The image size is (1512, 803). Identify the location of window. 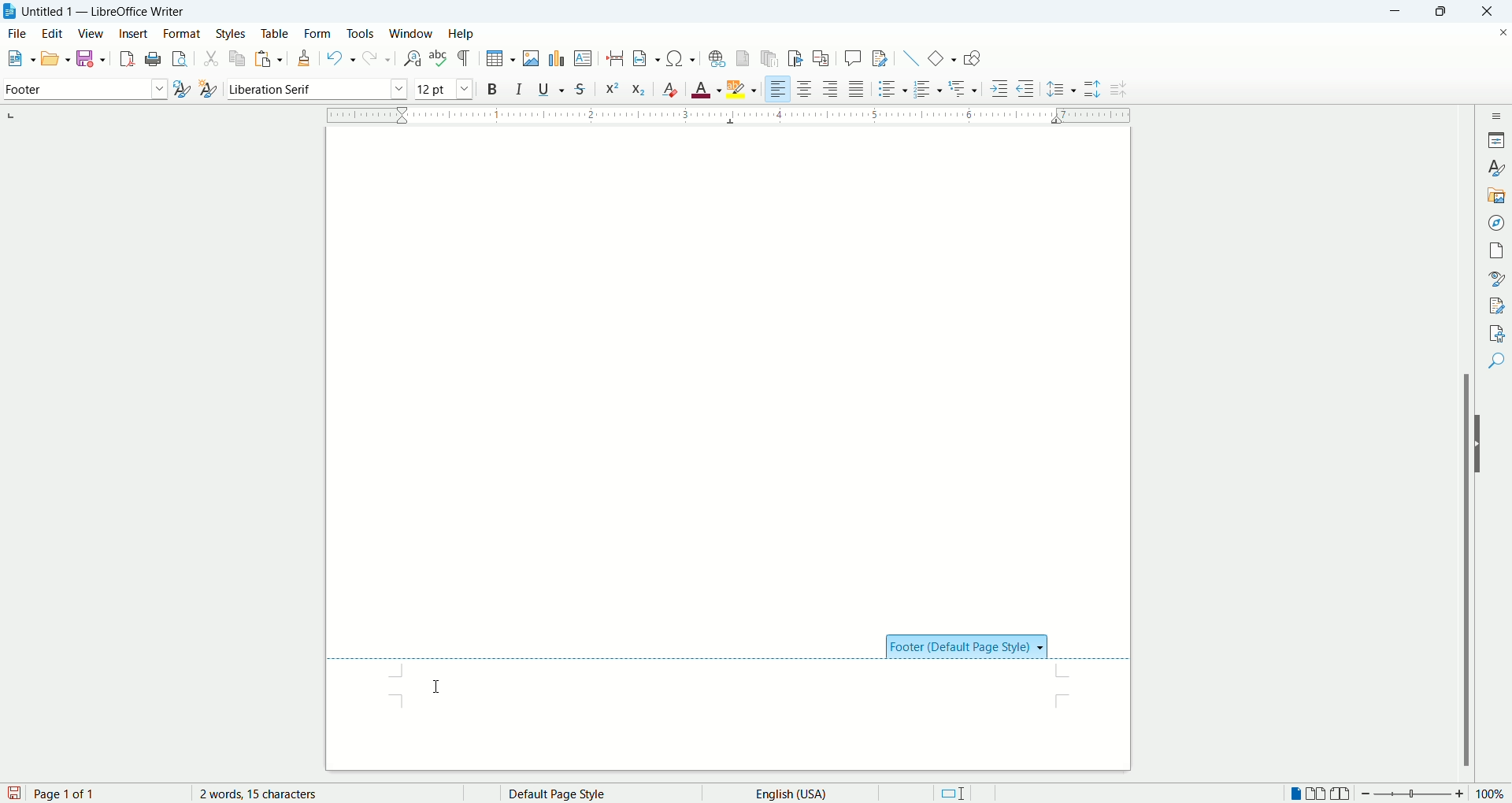
(412, 34).